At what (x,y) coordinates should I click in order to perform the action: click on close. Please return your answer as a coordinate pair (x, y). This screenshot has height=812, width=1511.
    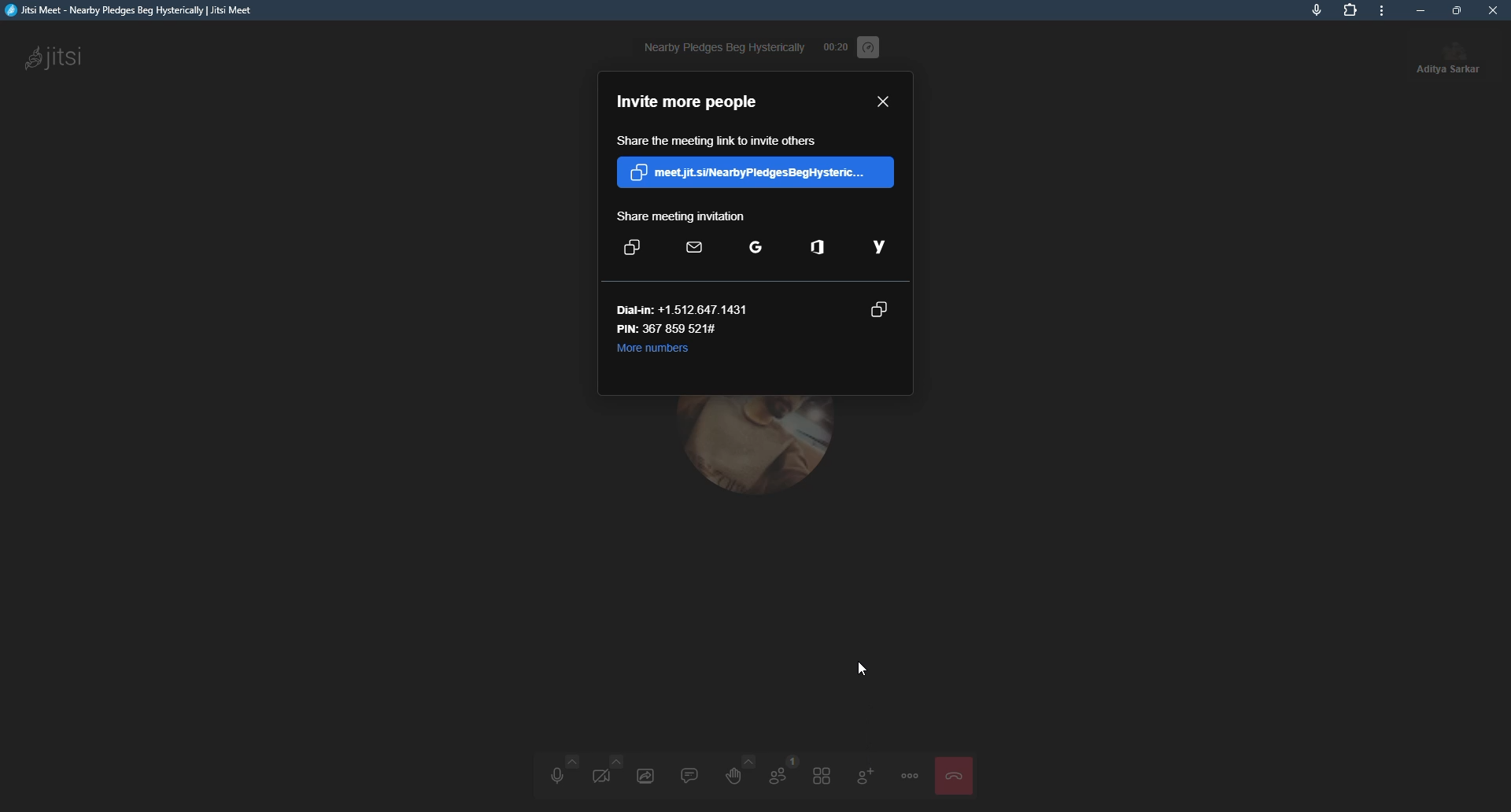
    Looking at the image, I should click on (885, 102).